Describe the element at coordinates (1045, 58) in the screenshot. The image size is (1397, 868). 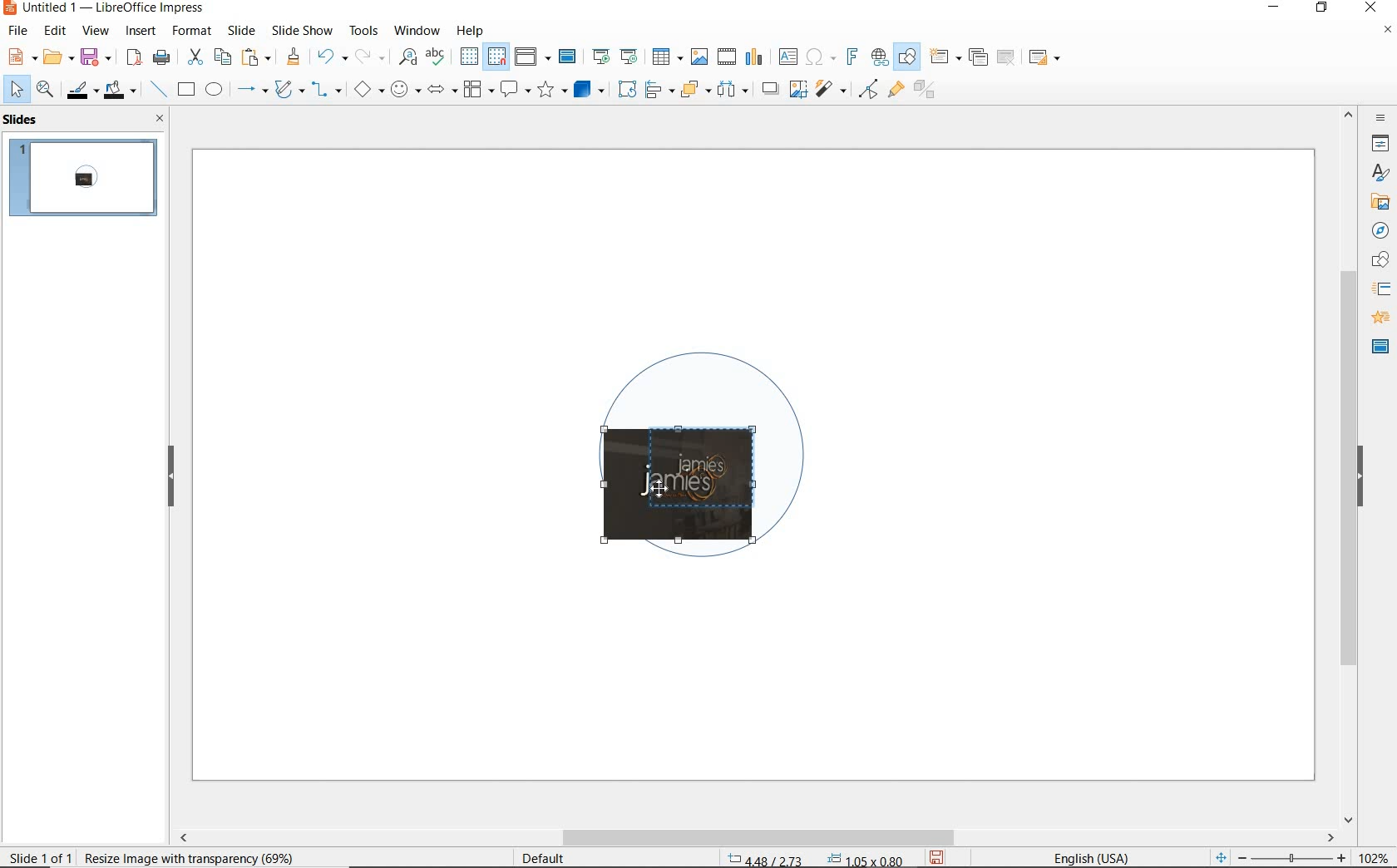
I see `slide layout` at that location.